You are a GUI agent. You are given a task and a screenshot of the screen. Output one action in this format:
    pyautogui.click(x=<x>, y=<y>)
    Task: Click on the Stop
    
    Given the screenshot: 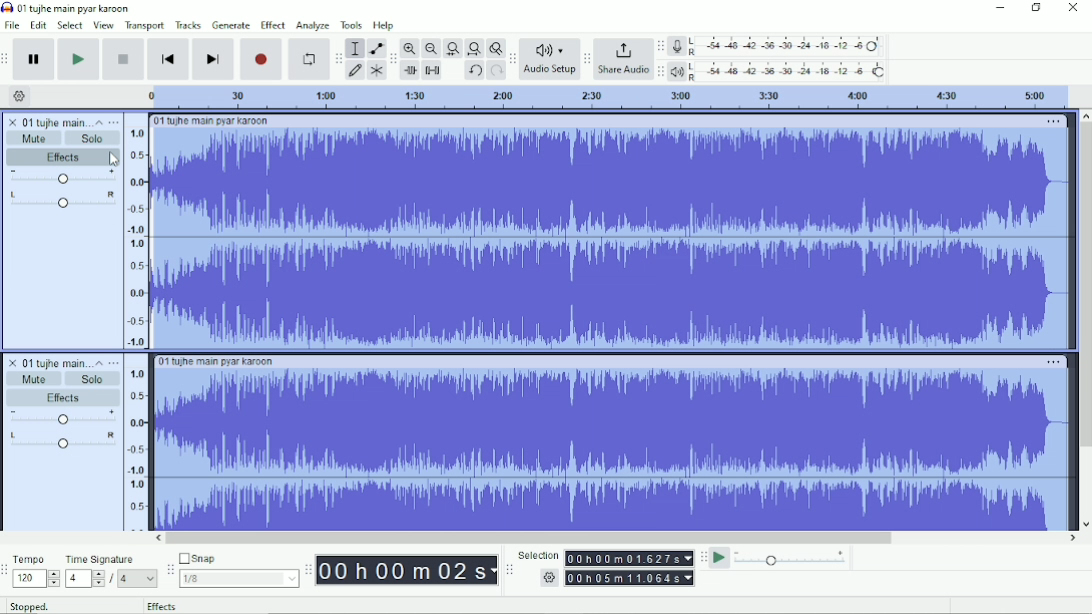 What is the action you would take?
    pyautogui.click(x=124, y=60)
    